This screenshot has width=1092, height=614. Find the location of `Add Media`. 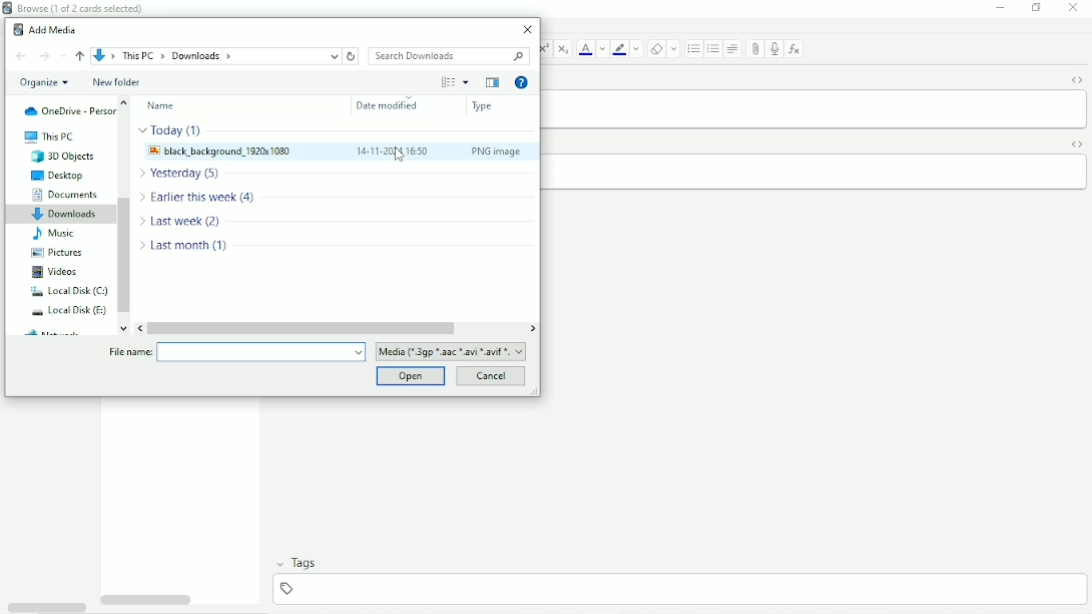

Add Media is located at coordinates (43, 30).